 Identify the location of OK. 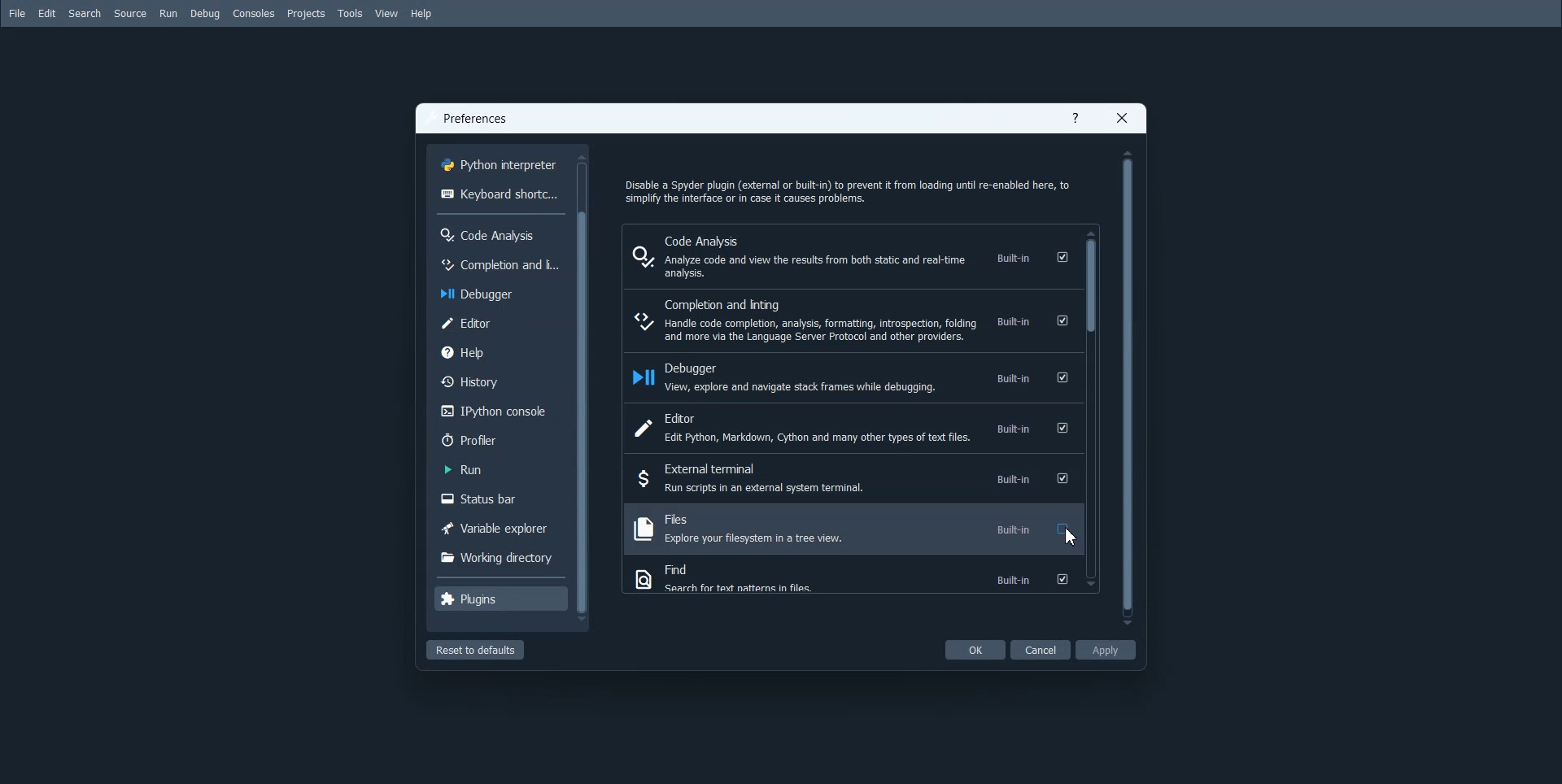
(975, 650).